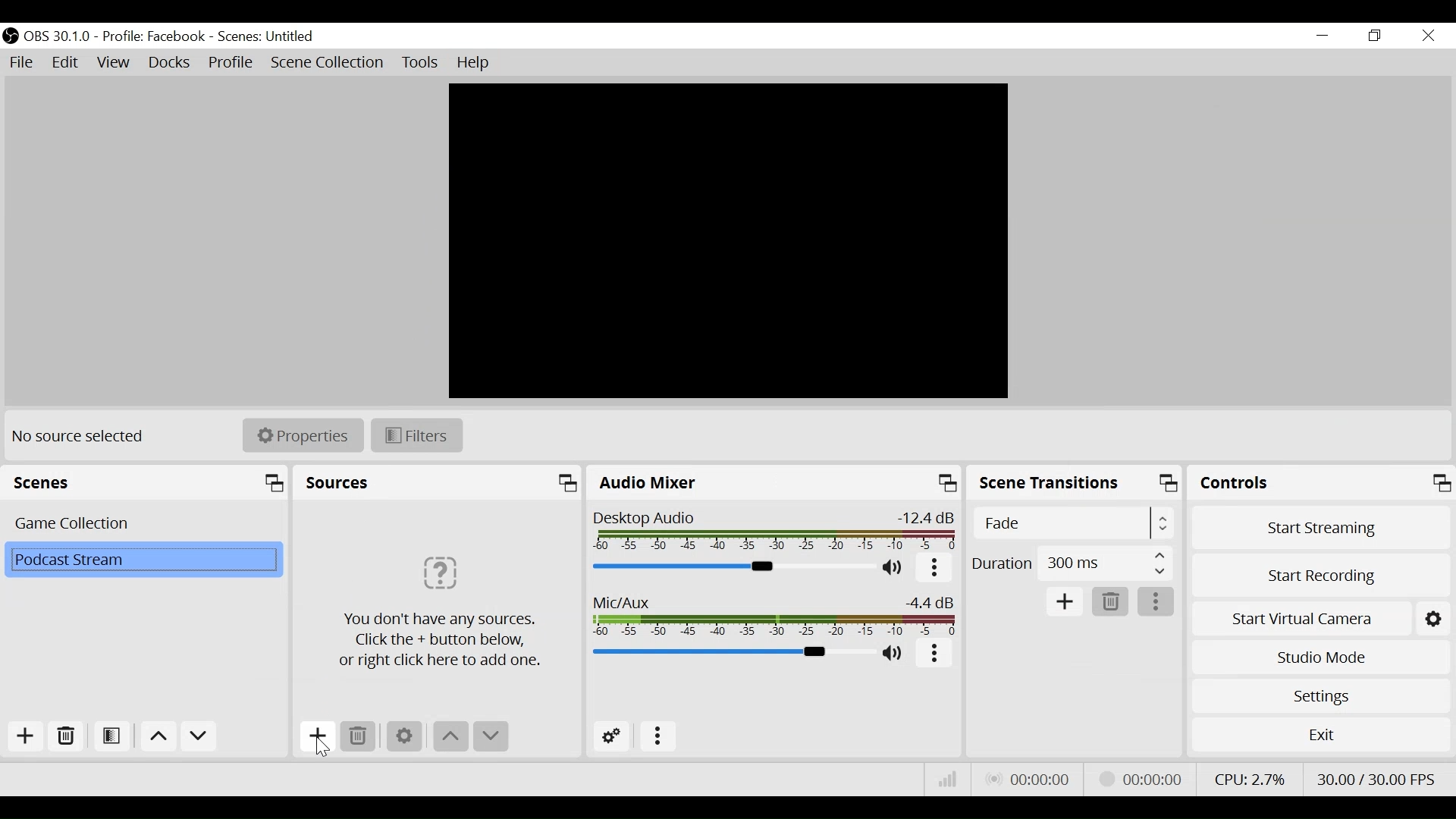  Describe the element at coordinates (1321, 736) in the screenshot. I see `Exit` at that location.